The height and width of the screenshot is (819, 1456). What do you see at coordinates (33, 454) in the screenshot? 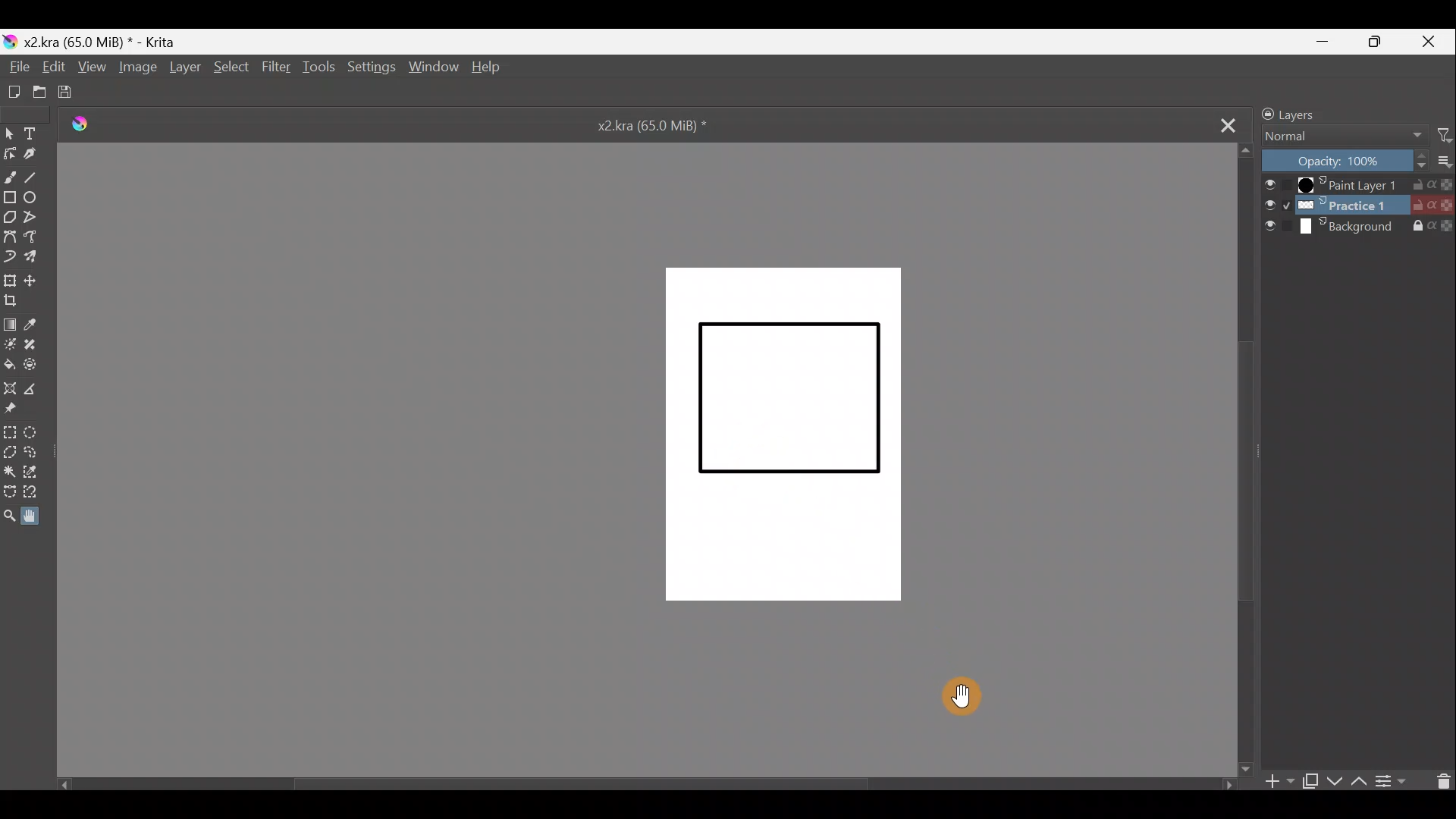
I see `Freehand selection tool` at bounding box center [33, 454].